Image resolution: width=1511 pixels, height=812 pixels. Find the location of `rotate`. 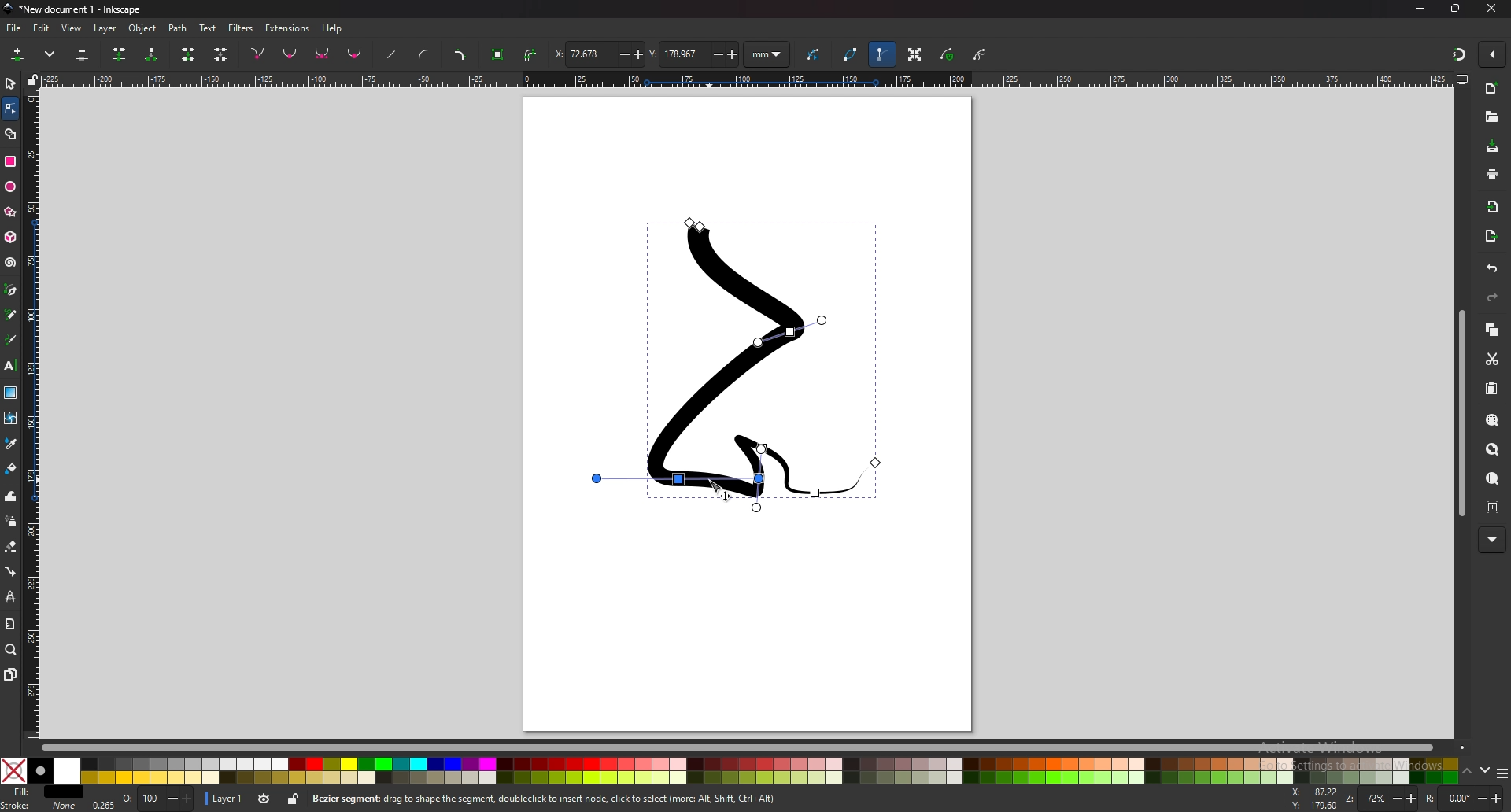

rotate is located at coordinates (1462, 797).